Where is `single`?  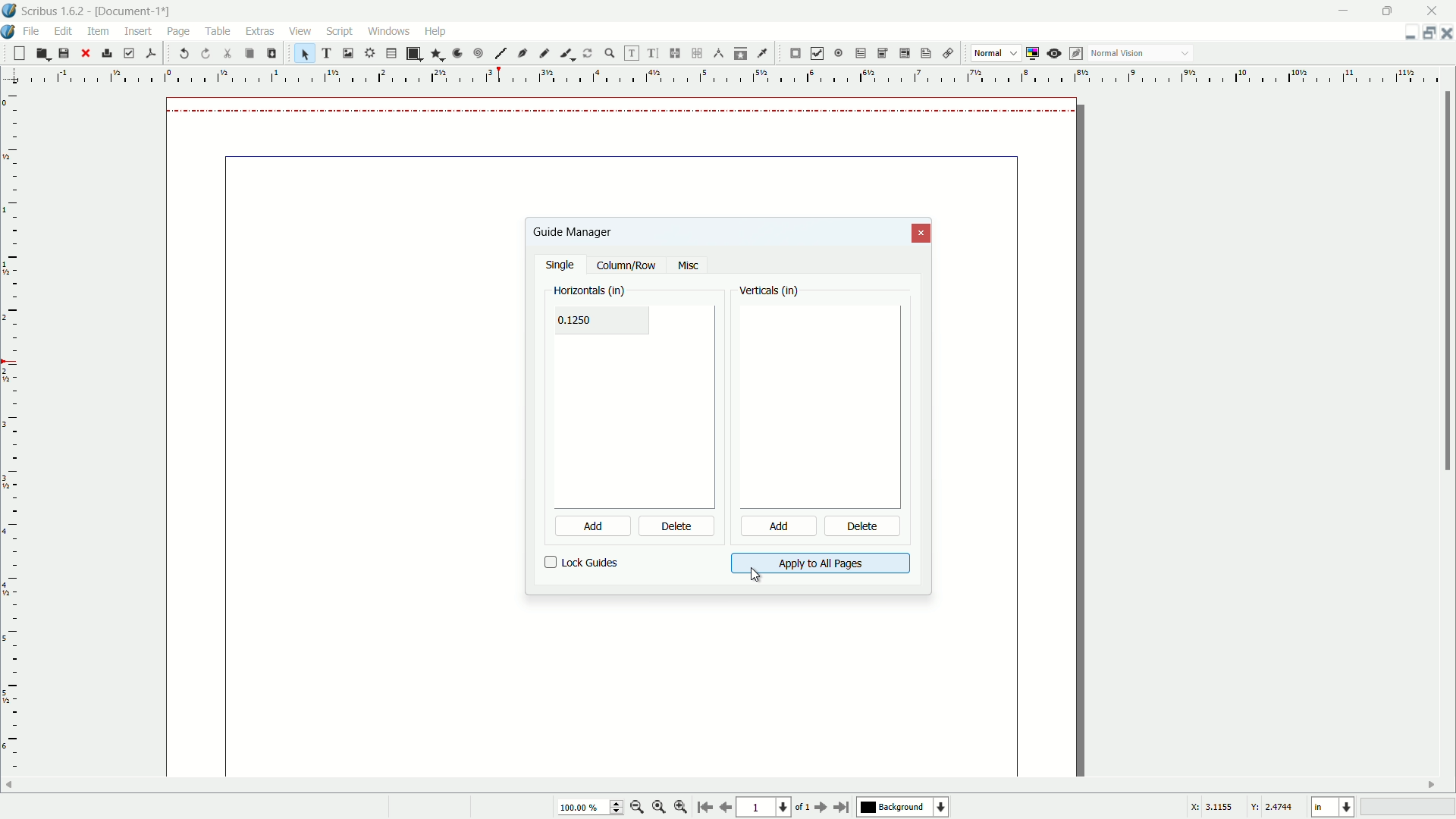 single is located at coordinates (562, 266).